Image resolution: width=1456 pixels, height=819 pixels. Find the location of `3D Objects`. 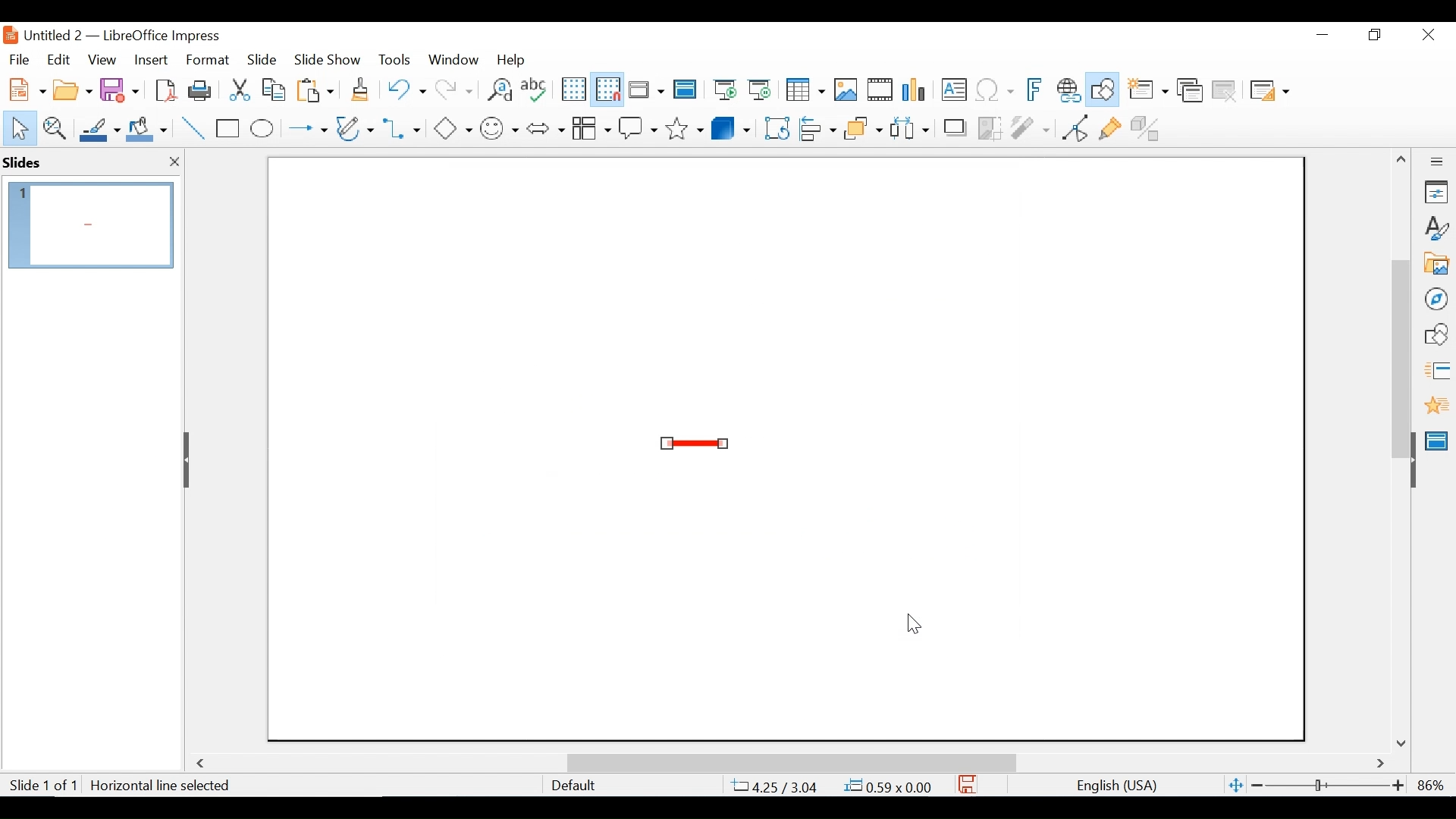

3D Objects is located at coordinates (731, 127).